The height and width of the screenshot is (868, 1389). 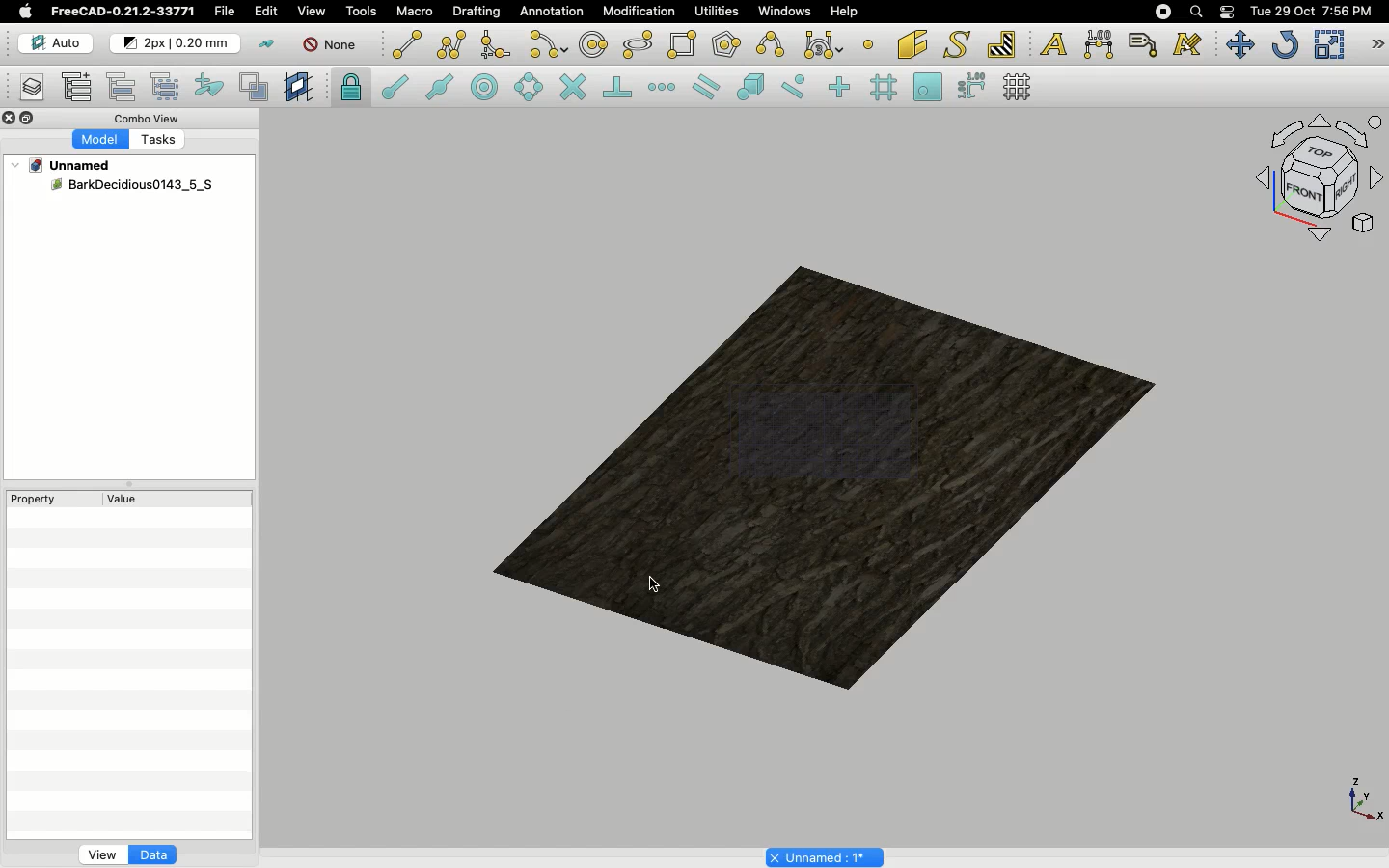 I want to click on Help, so click(x=848, y=12).